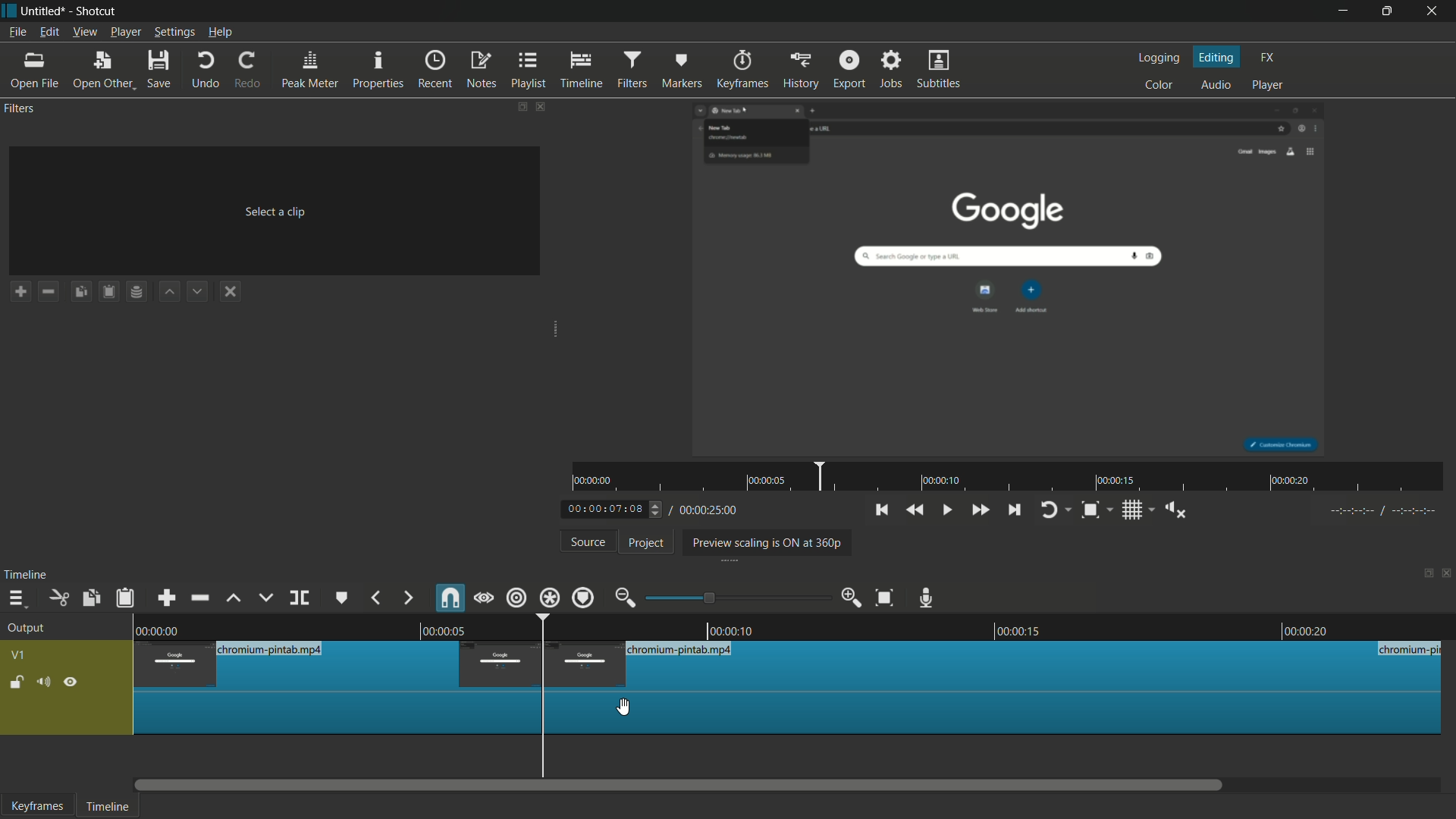  Describe the element at coordinates (89, 599) in the screenshot. I see `copy checked filters` at that location.